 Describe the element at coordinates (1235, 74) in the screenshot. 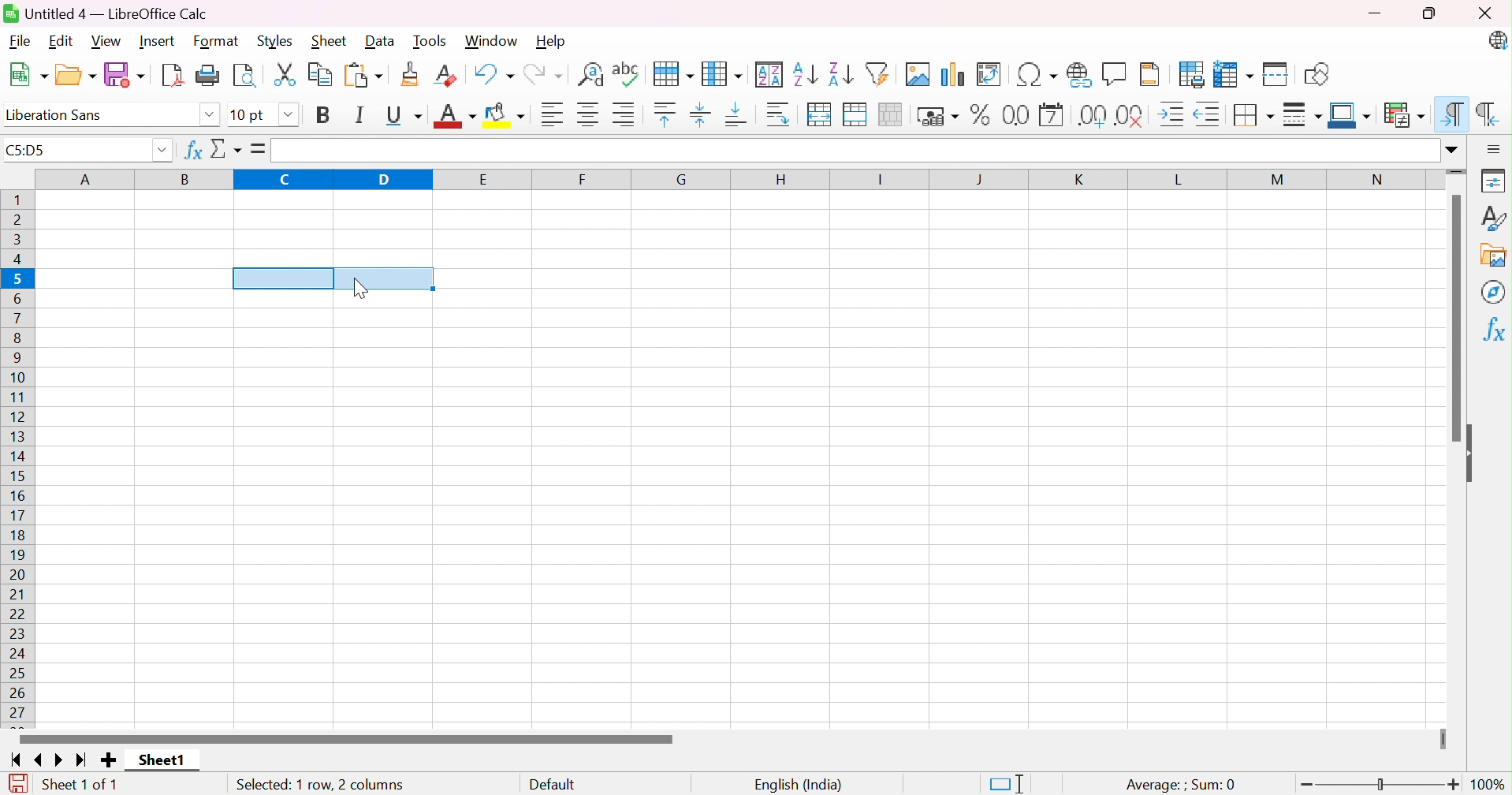

I see `Freeze Rows and Columns` at that location.